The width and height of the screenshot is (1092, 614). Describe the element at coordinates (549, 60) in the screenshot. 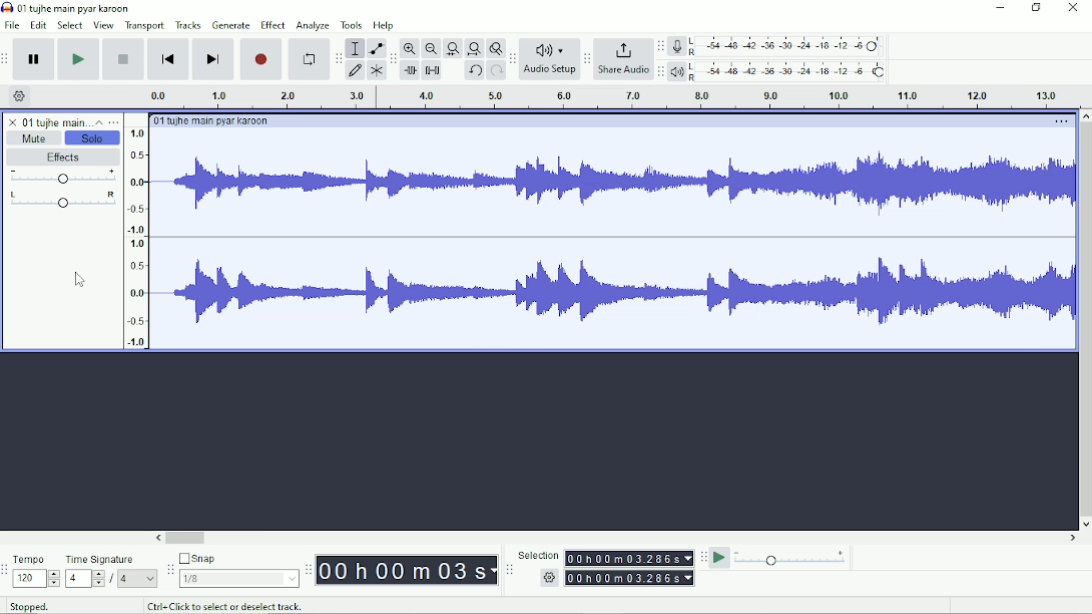

I see `Audio setup` at that location.